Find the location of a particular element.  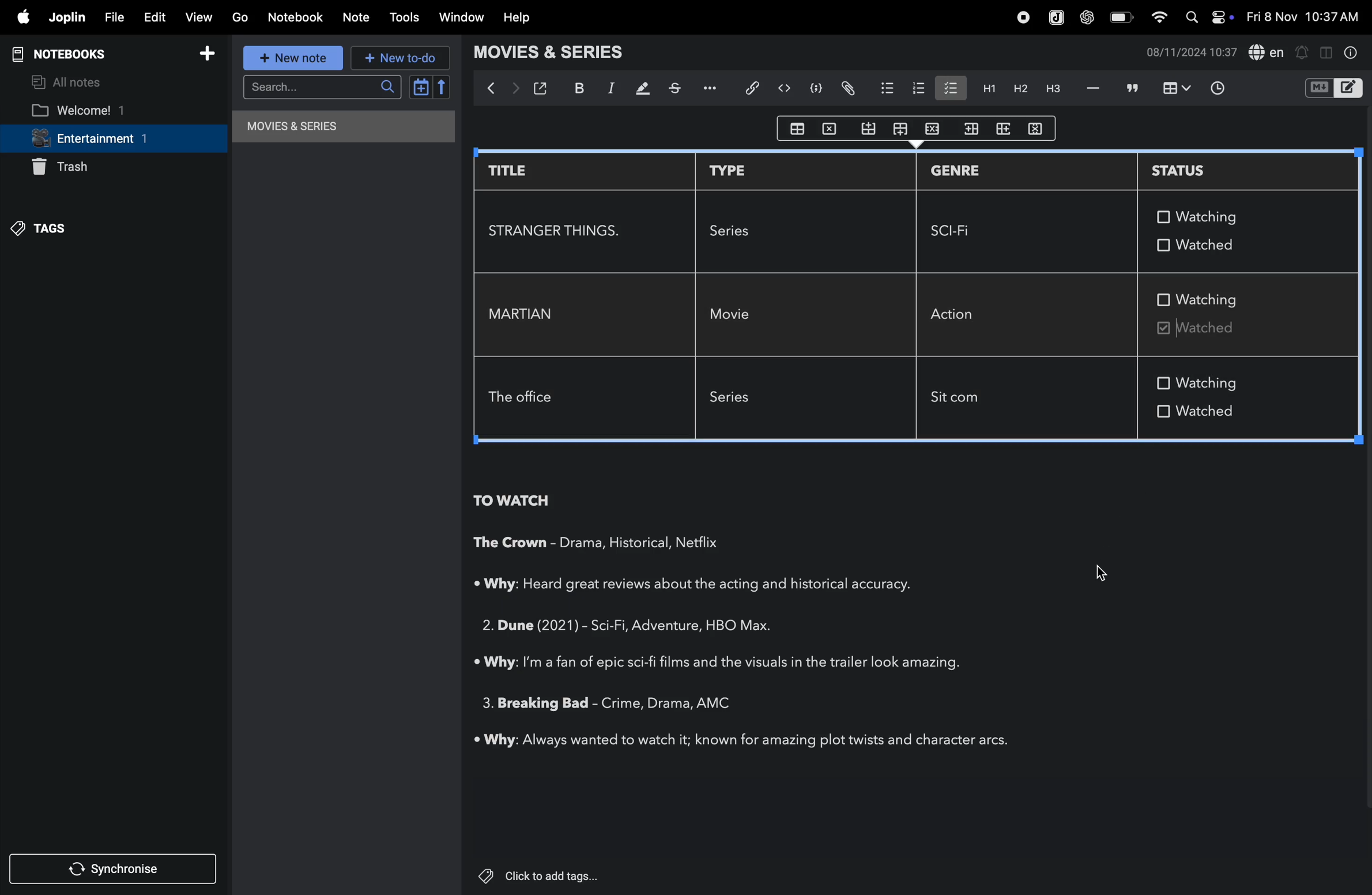

to watch is located at coordinates (511, 502).